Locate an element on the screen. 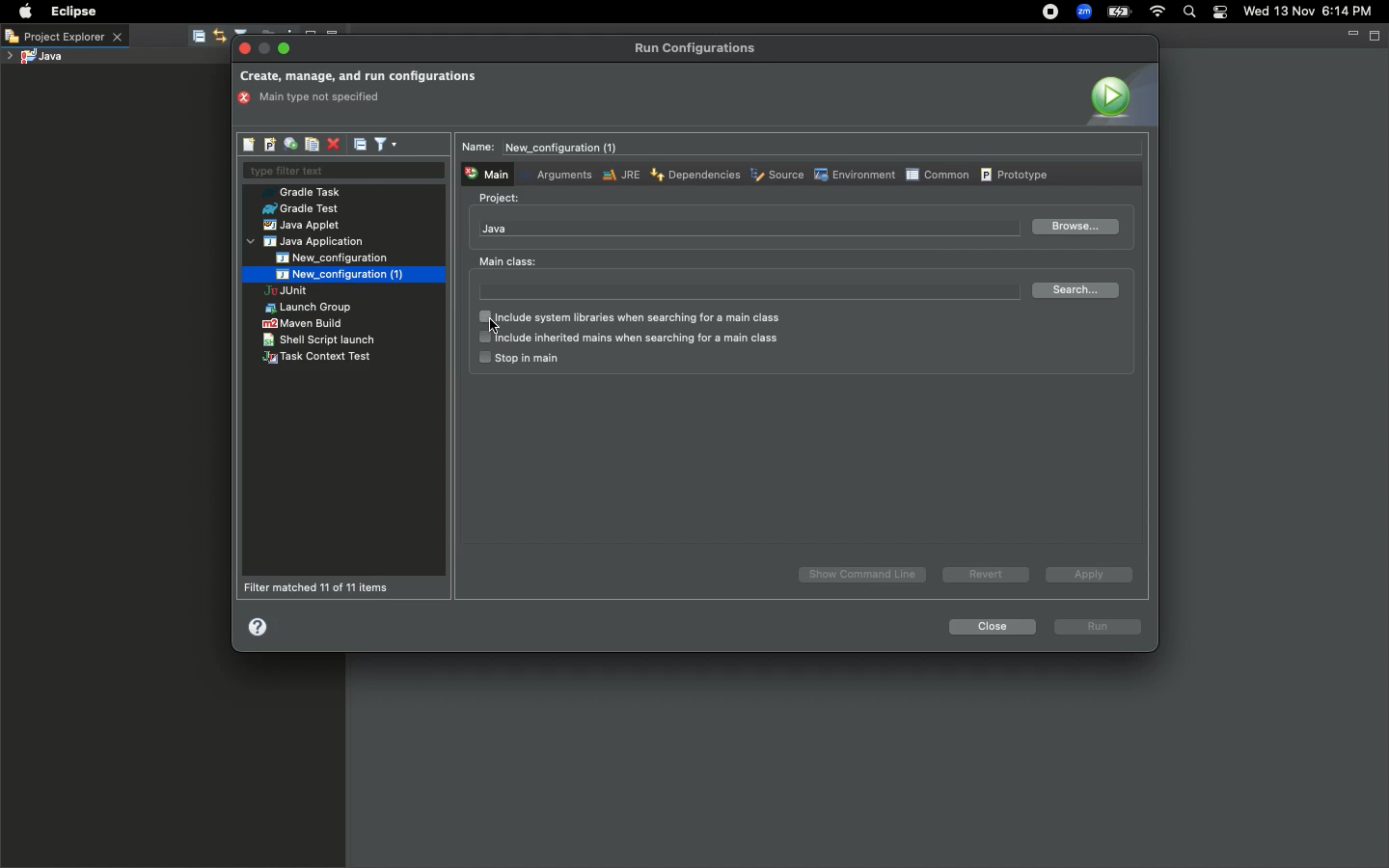 Image resolution: width=1389 pixels, height=868 pixels. Common is located at coordinates (937, 174).